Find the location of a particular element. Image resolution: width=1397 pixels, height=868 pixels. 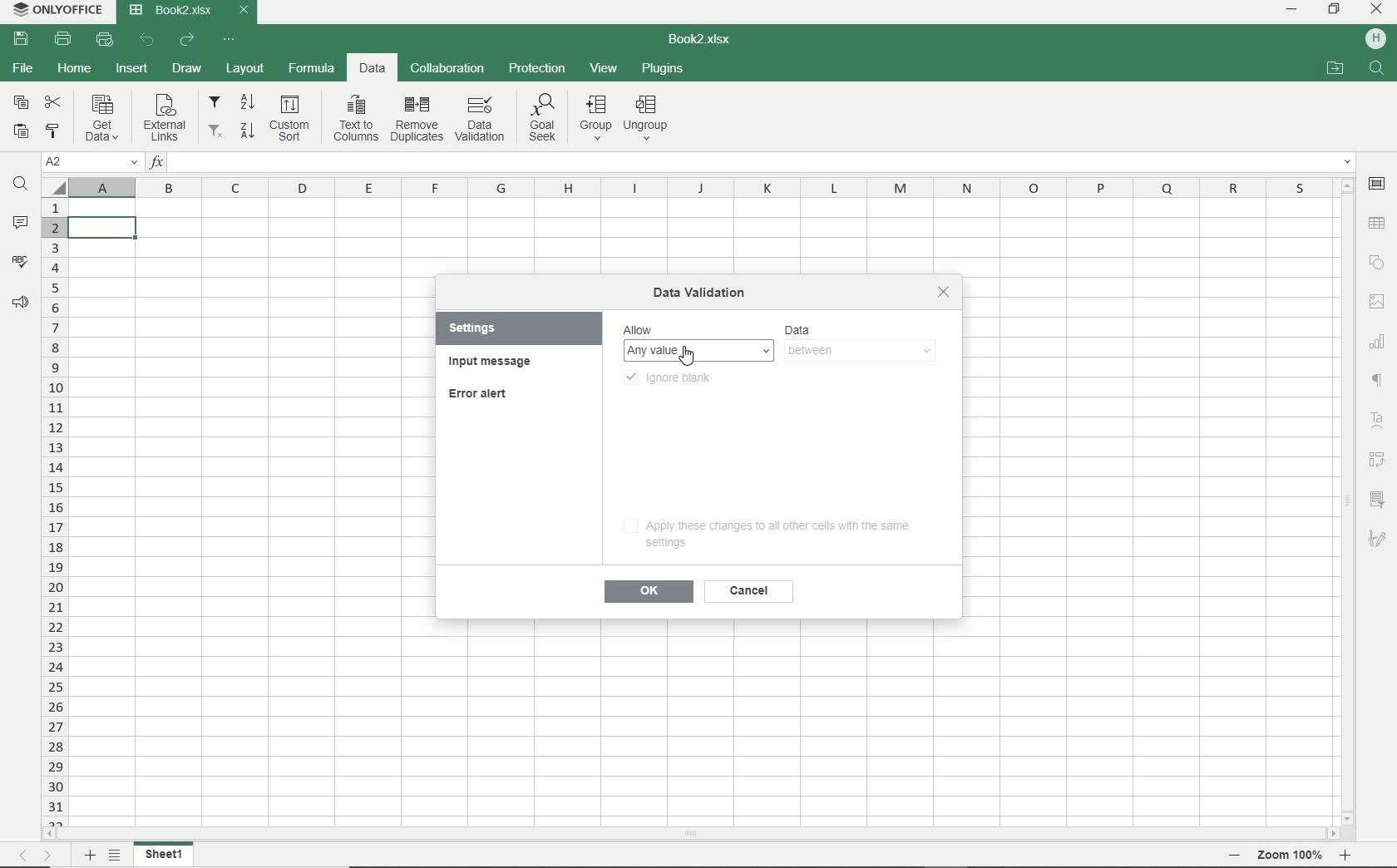

PLUGINS is located at coordinates (664, 67).